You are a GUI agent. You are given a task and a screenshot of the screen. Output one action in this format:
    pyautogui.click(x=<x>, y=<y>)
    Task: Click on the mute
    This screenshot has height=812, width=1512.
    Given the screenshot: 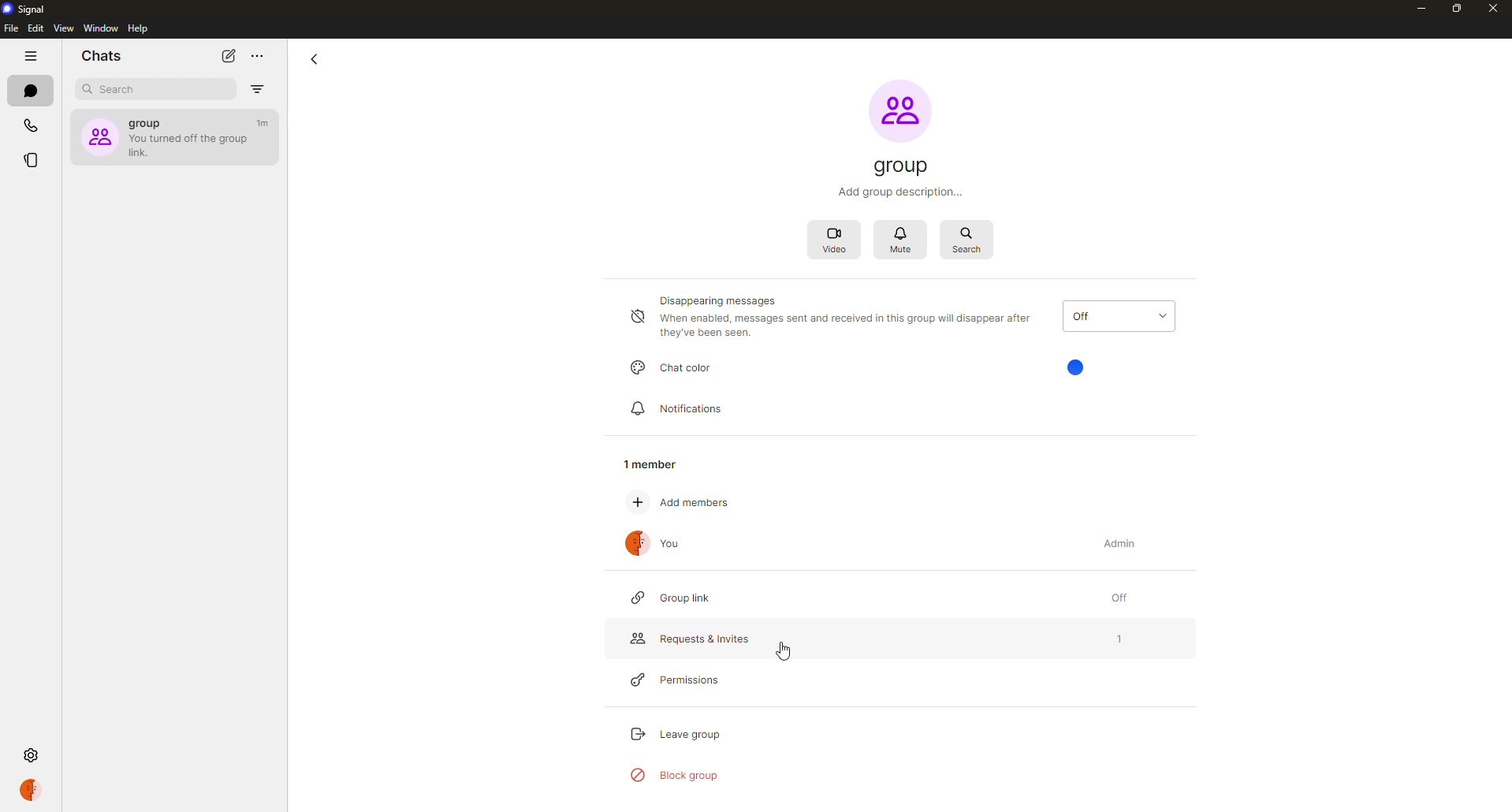 What is the action you would take?
    pyautogui.click(x=903, y=239)
    